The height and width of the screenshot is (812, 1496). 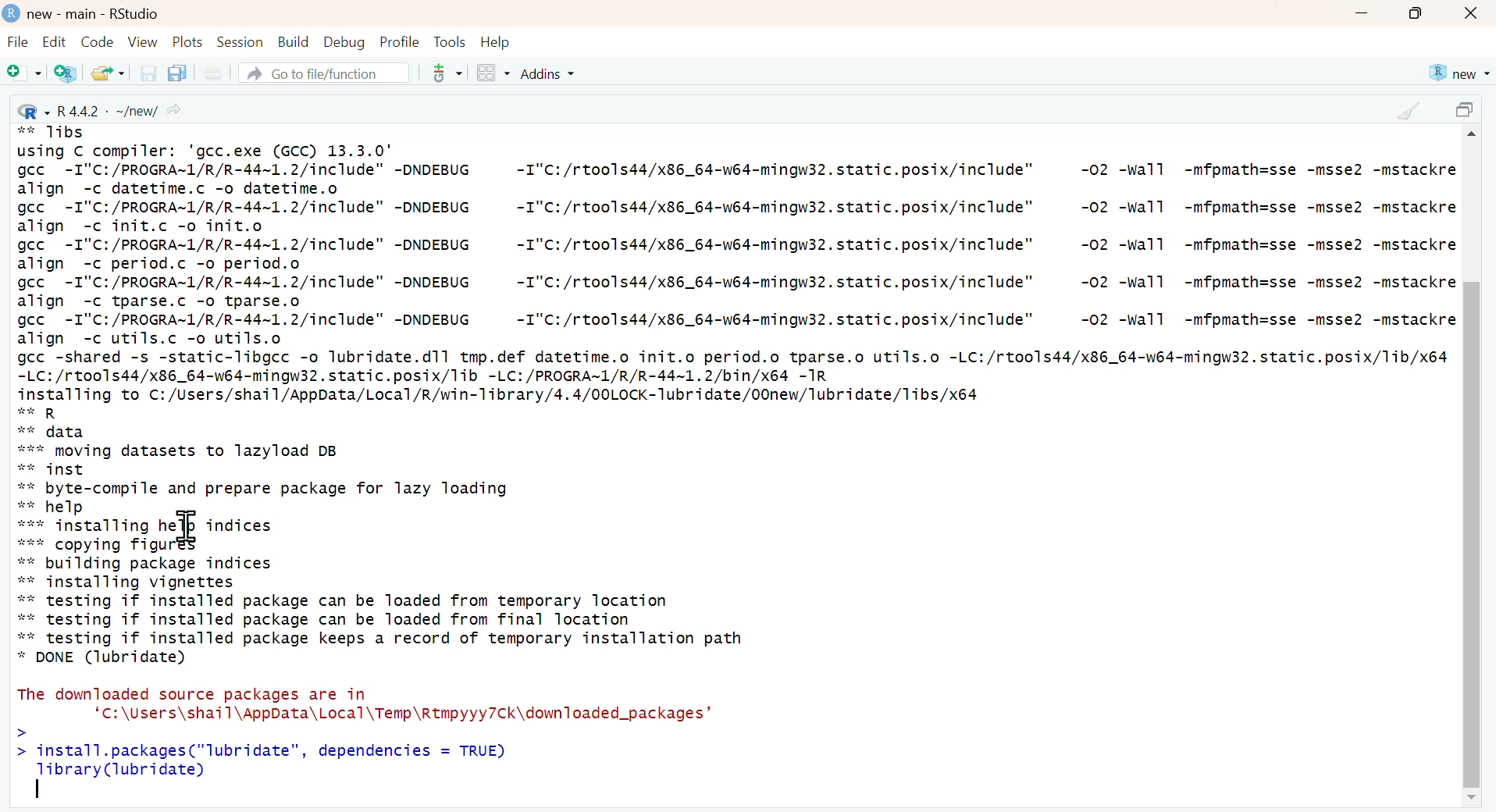 What do you see at coordinates (1470, 522) in the screenshot?
I see `scroll bar` at bounding box center [1470, 522].